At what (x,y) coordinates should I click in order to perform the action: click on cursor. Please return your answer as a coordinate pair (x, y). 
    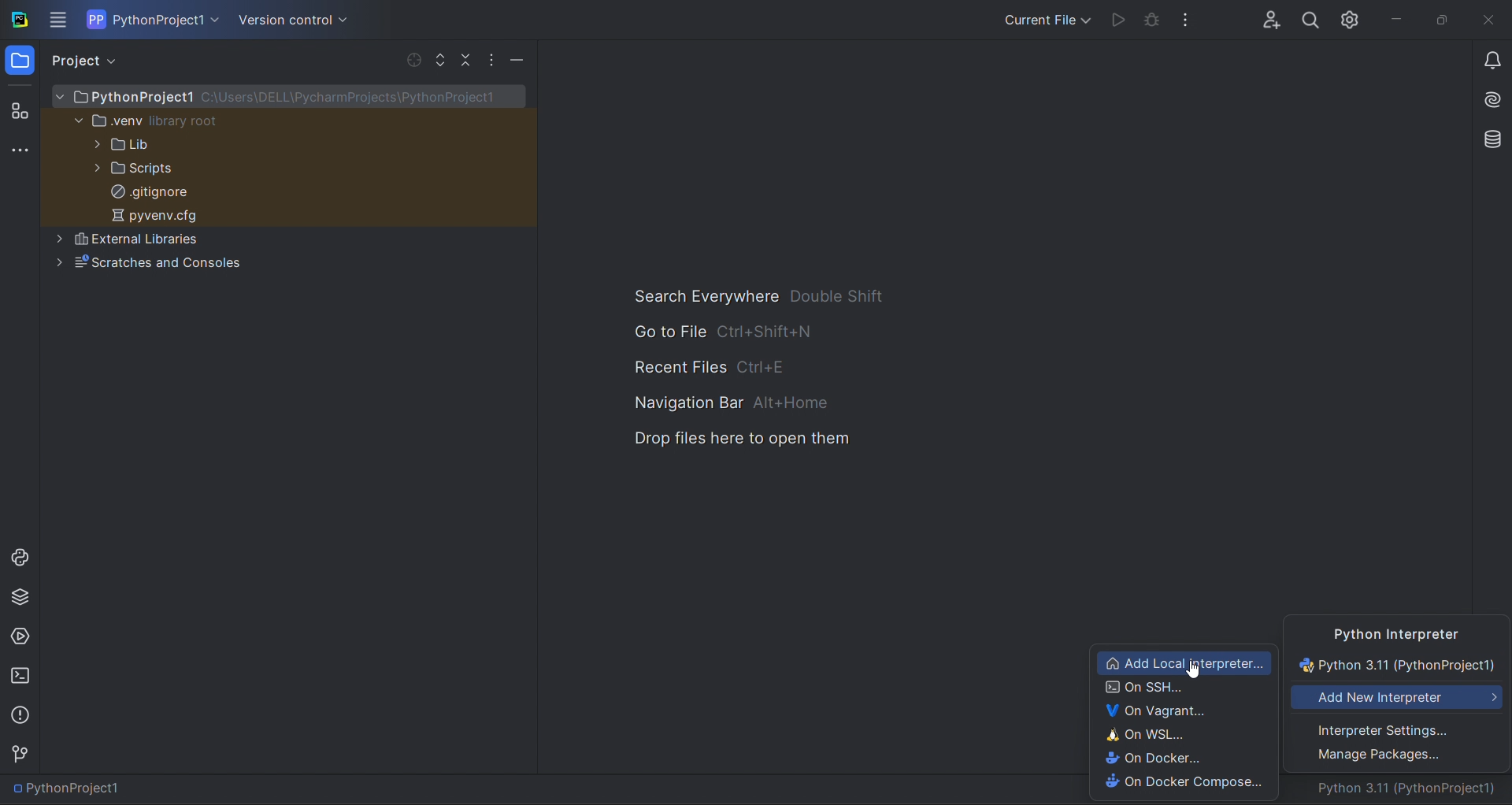
    Looking at the image, I should click on (1194, 671).